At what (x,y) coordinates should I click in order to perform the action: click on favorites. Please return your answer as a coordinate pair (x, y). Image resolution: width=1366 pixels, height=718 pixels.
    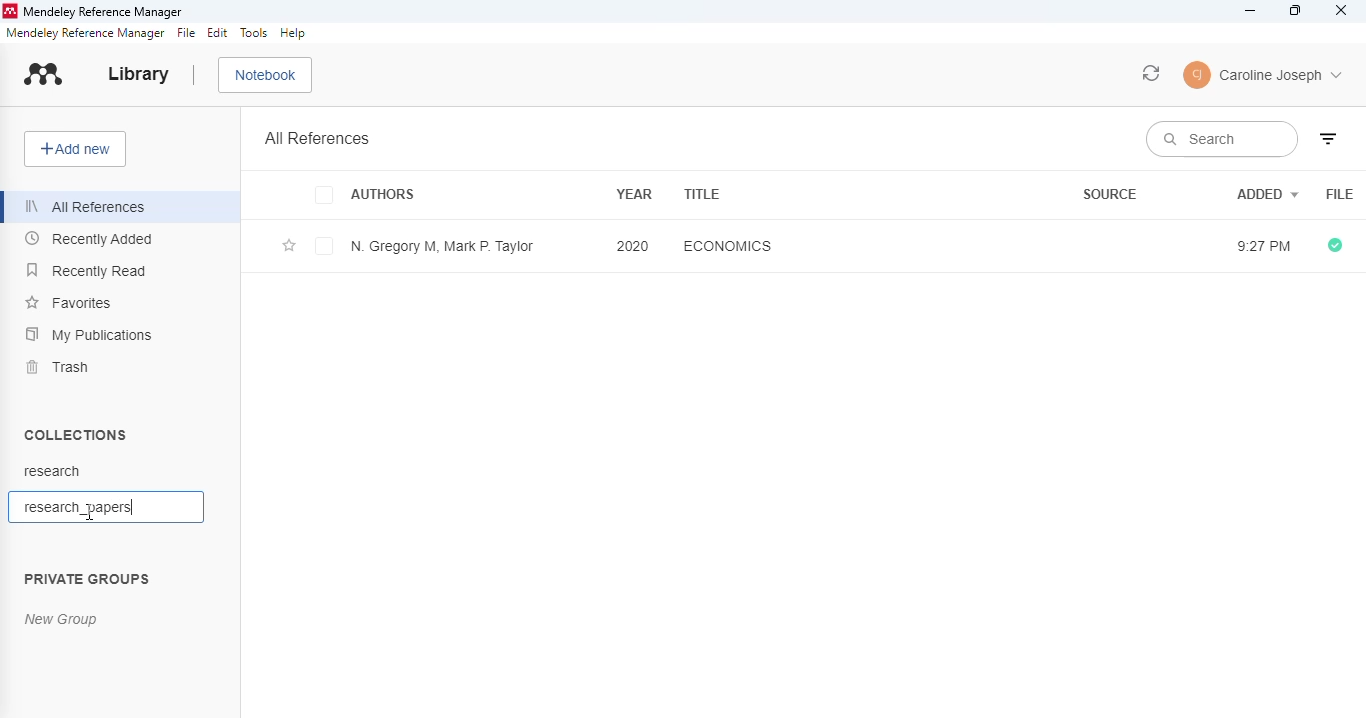
    Looking at the image, I should click on (70, 303).